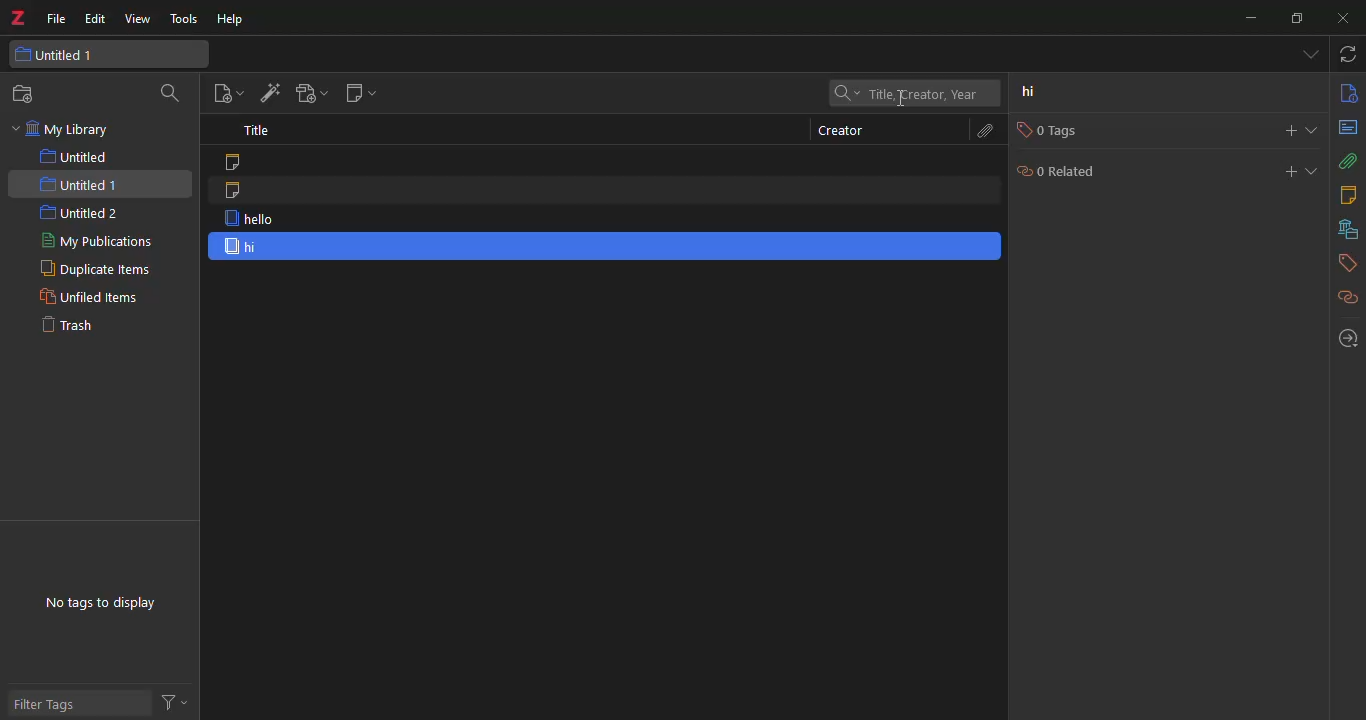 The height and width of the screenshot is (720, 1366). What do you see at coordinates (78, 157) in the screenshot?
I see `untitled` at bounding box center [78, 157].